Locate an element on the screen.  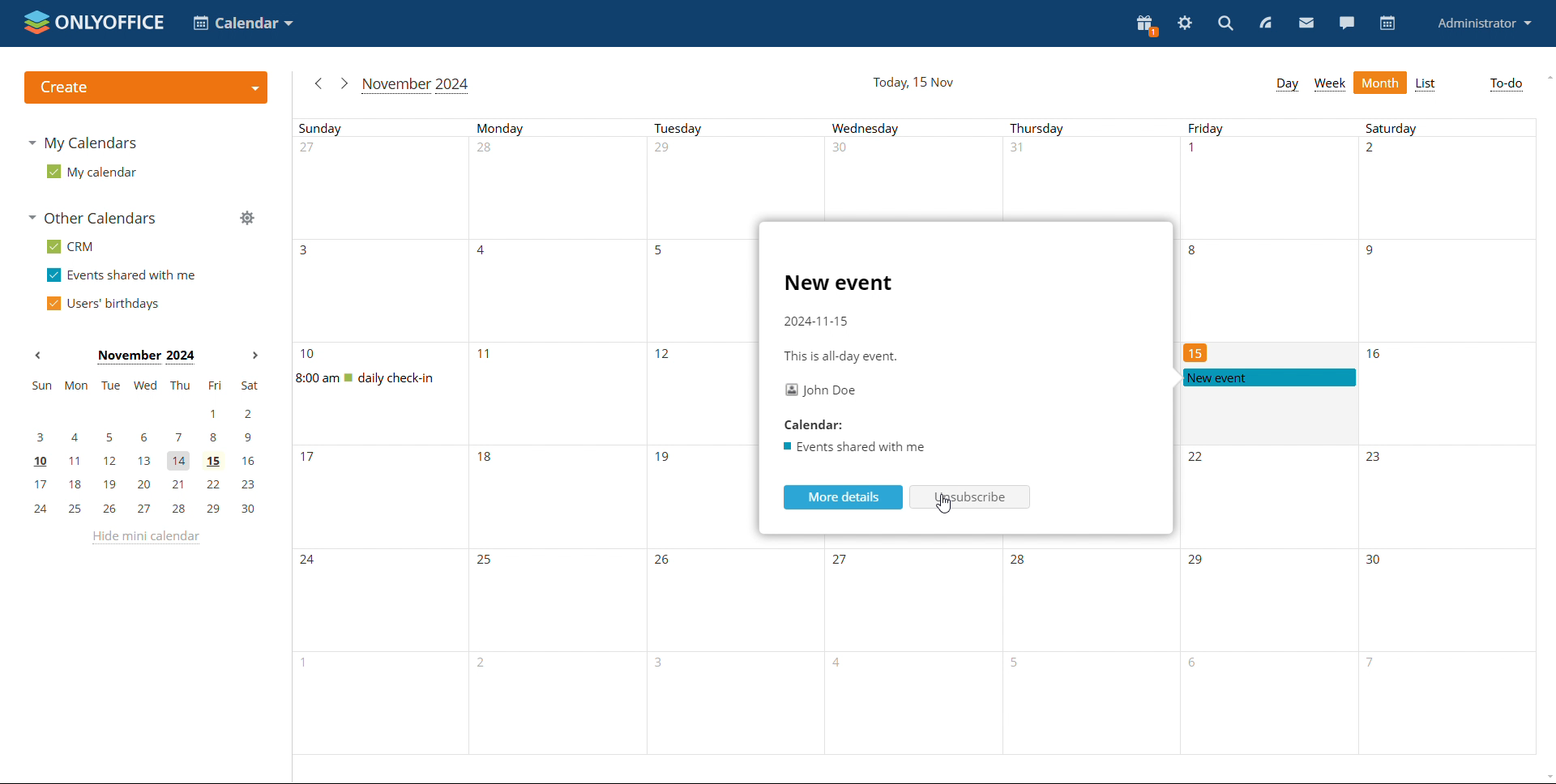
Number is located at coordinates (845, 564).